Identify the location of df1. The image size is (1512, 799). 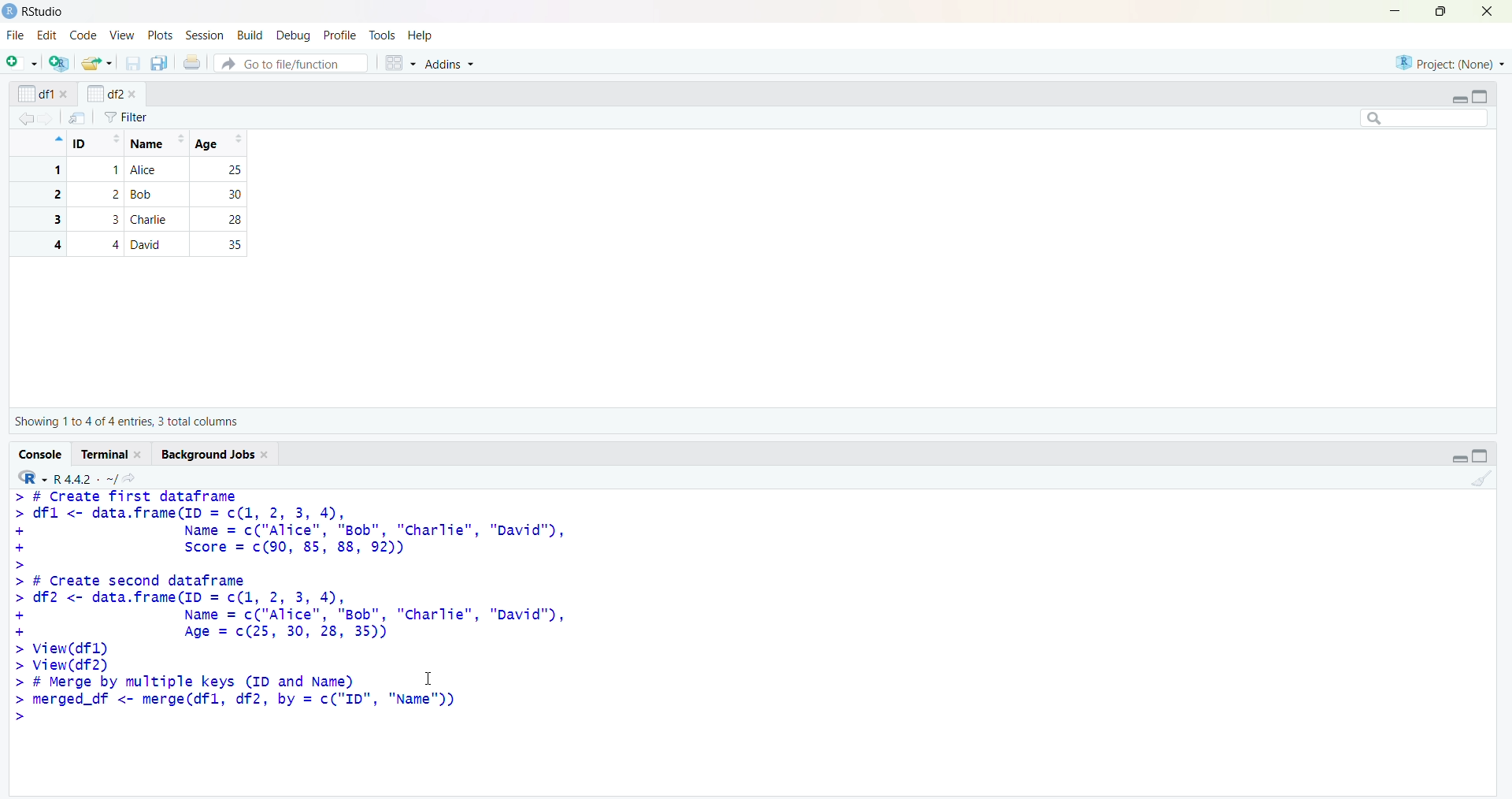
(35, 94).